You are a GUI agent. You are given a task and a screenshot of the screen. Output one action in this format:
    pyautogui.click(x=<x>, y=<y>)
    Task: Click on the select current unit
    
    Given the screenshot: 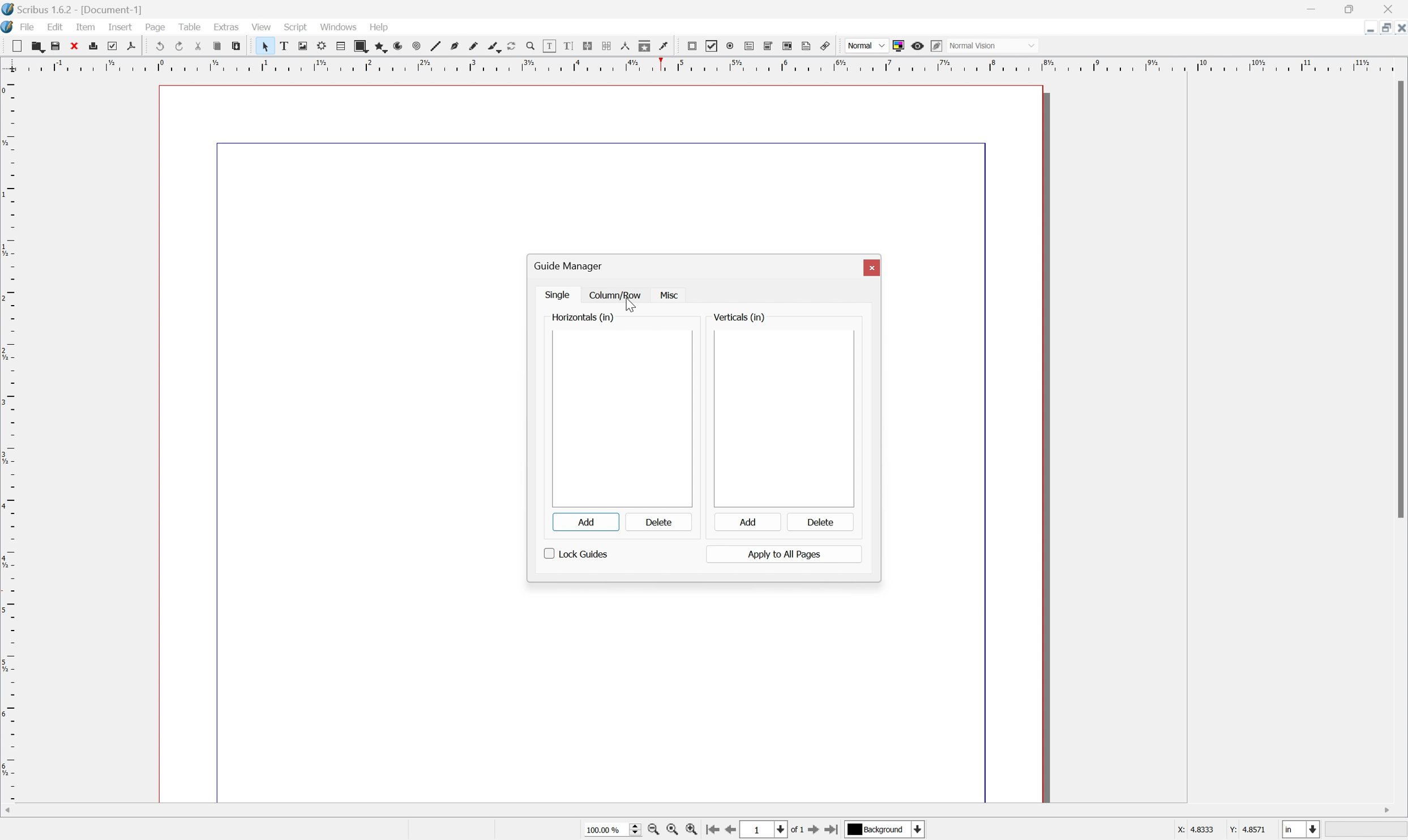 What is the action you would take?
    pyautogui.click(x=1301, y=829)
    